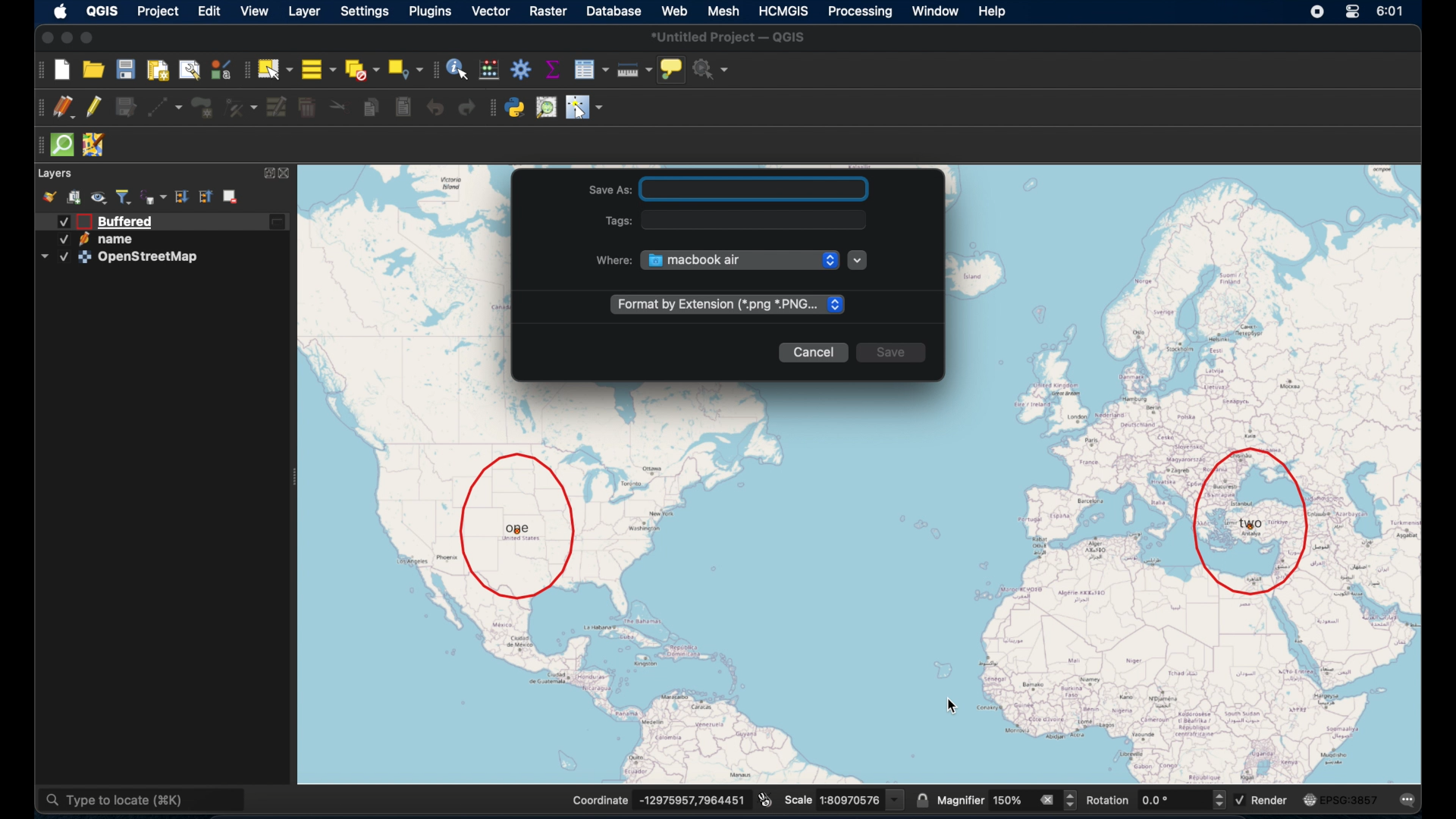  Describe the element at coordinates (97, 67) in the screenshot. I see `open project` at that location.